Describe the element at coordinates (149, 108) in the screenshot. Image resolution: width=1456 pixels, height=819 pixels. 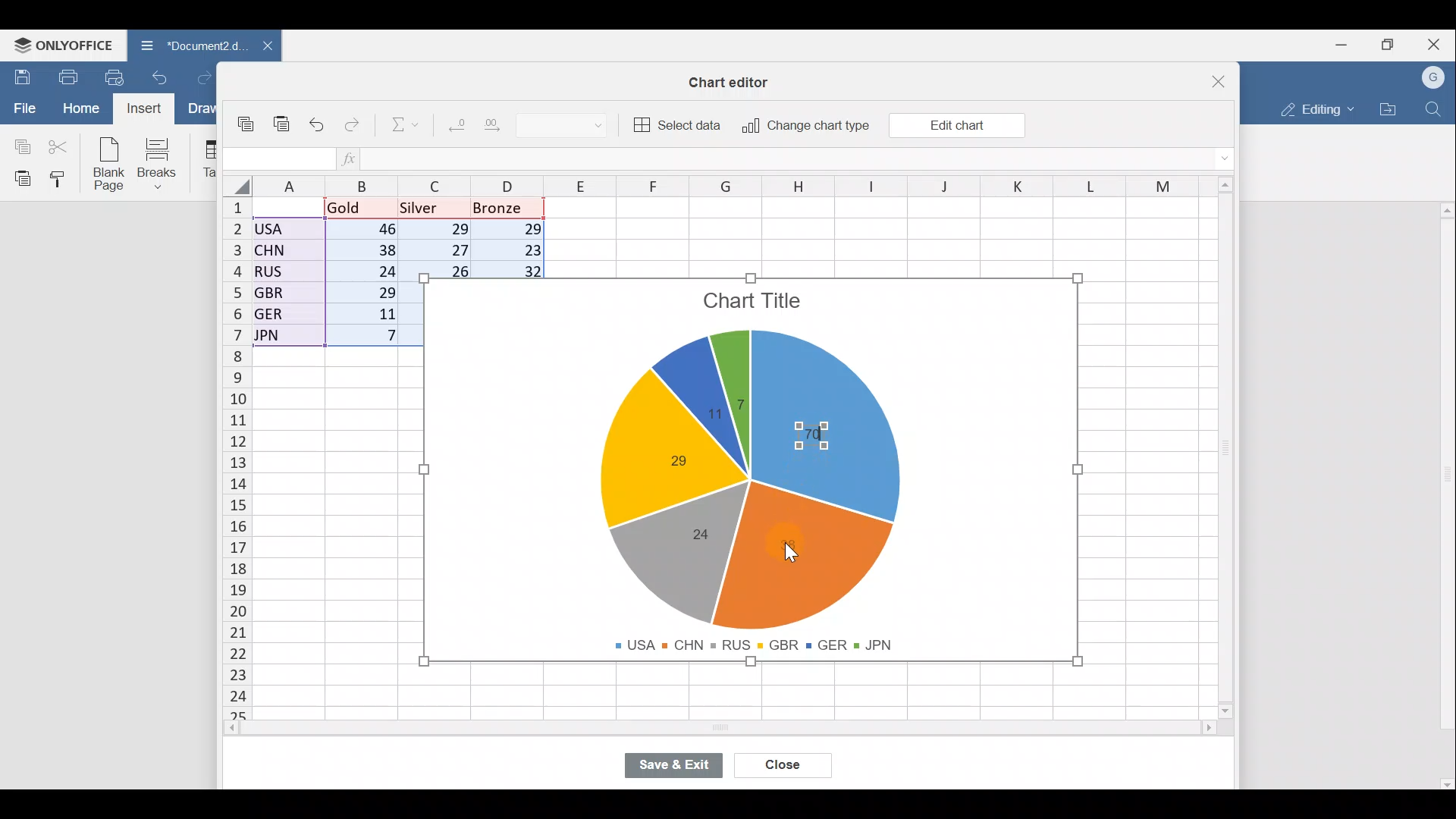
I see `Cursor on Insert` at that location.